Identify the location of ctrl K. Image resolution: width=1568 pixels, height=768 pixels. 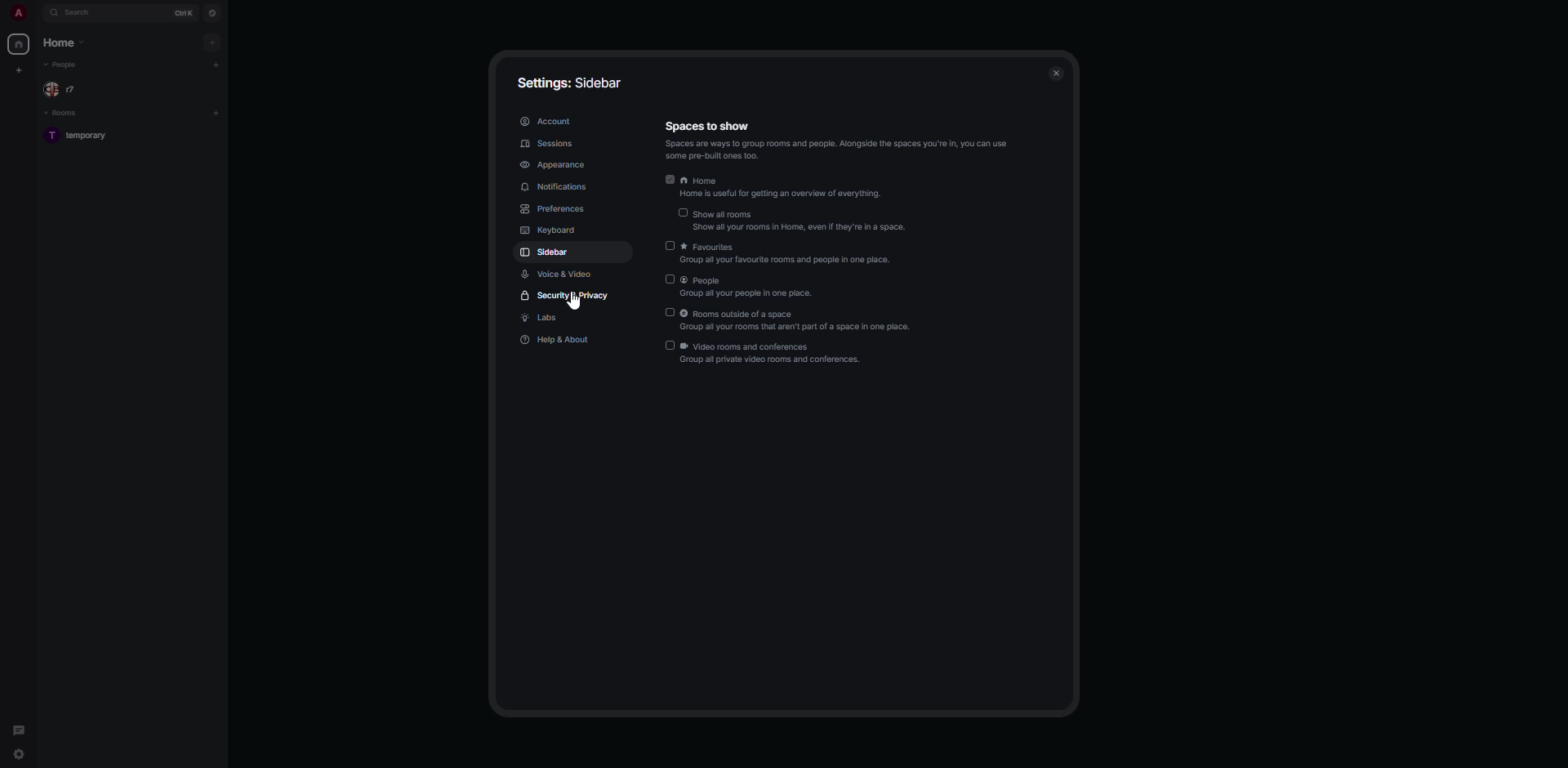
(185, 11).